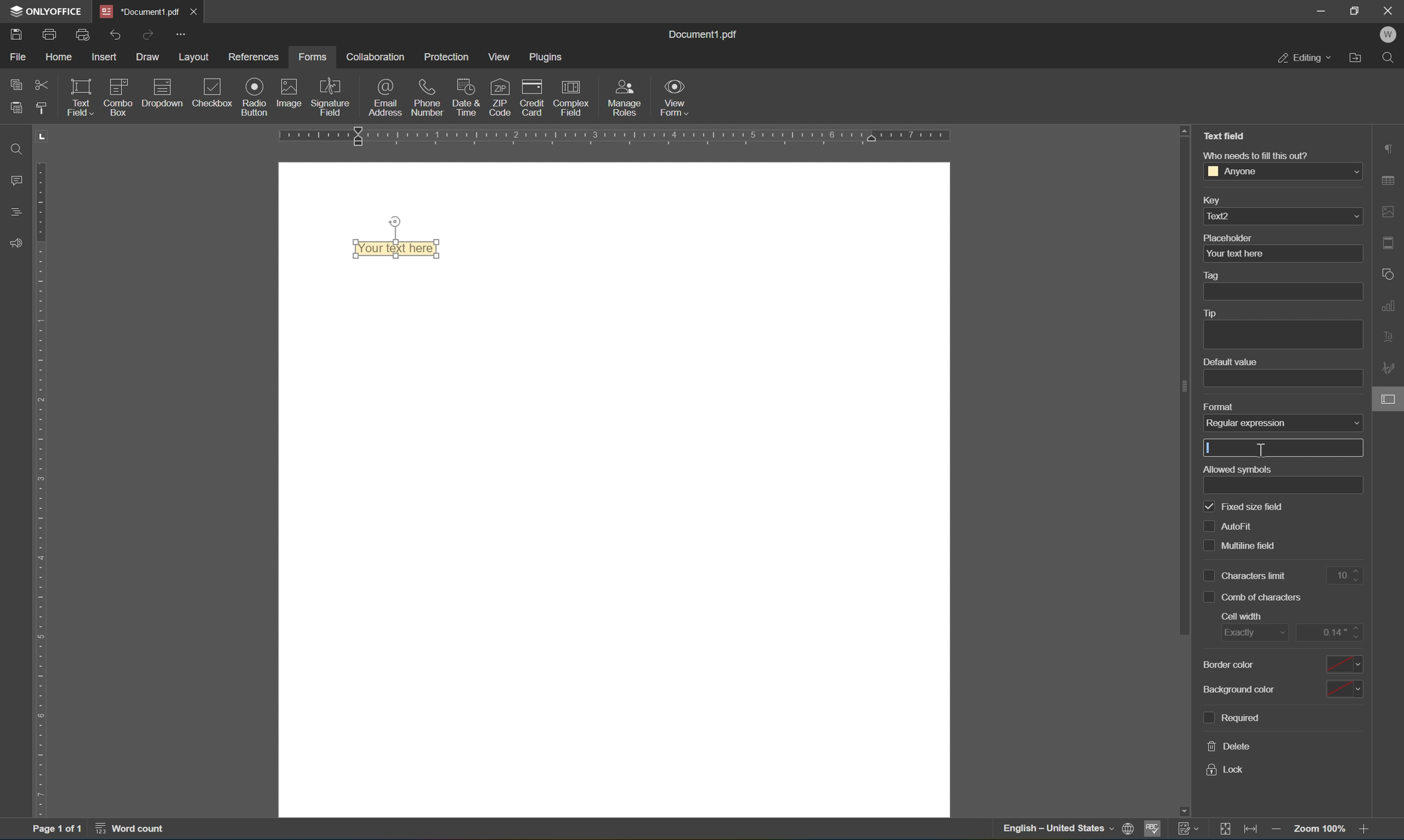  What do you see at coordinates (1258, 155) in the screenshot?
I see `who needs to fill this out?` at bounding box center [1258, 155].